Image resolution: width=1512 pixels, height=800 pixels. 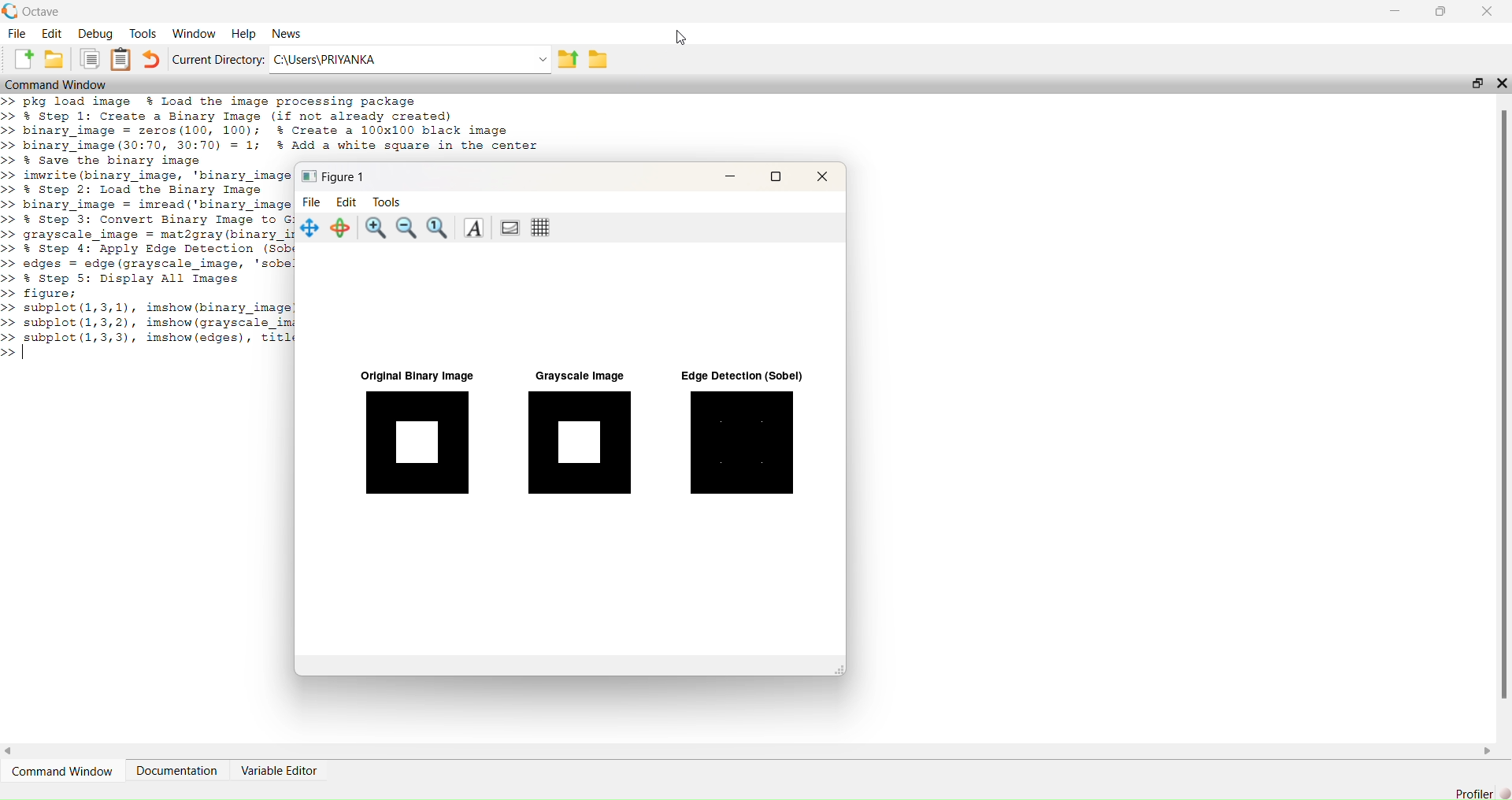 I want to click on undo, so click(x=153, y=58).